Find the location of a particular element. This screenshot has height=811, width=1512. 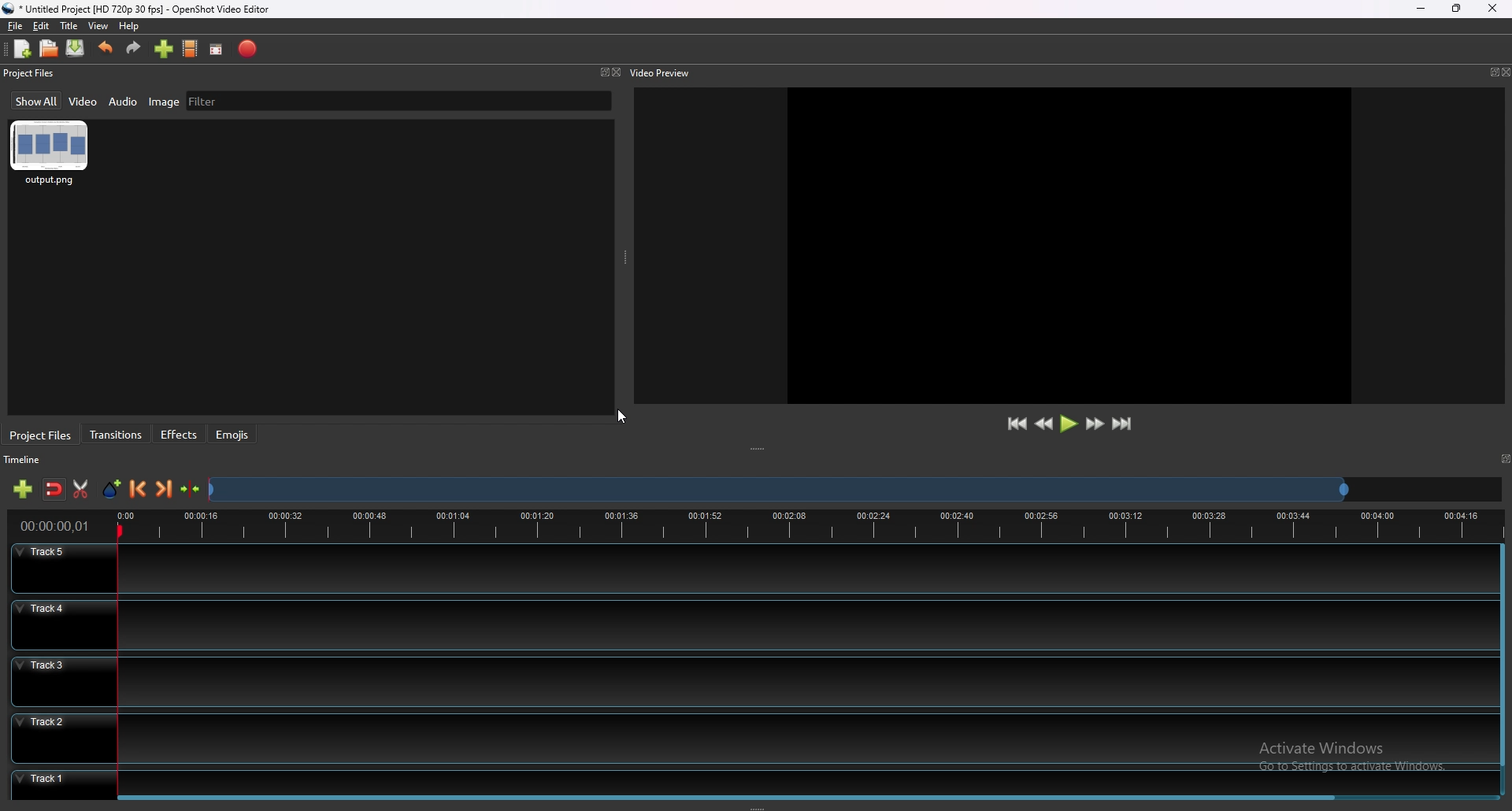

adjust is located at coordinates (627, 257).